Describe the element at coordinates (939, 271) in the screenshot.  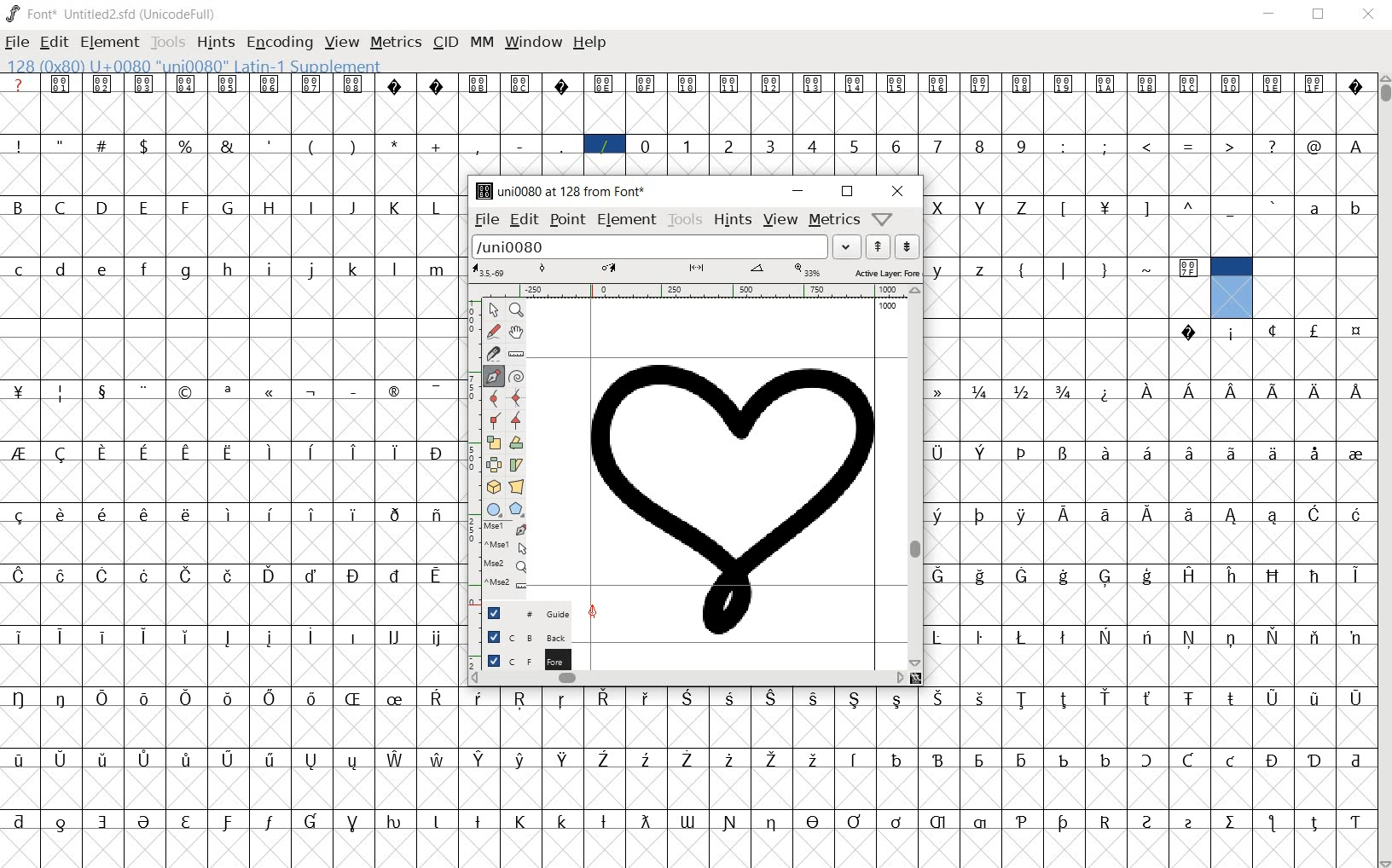
I see `glyph` at that location.